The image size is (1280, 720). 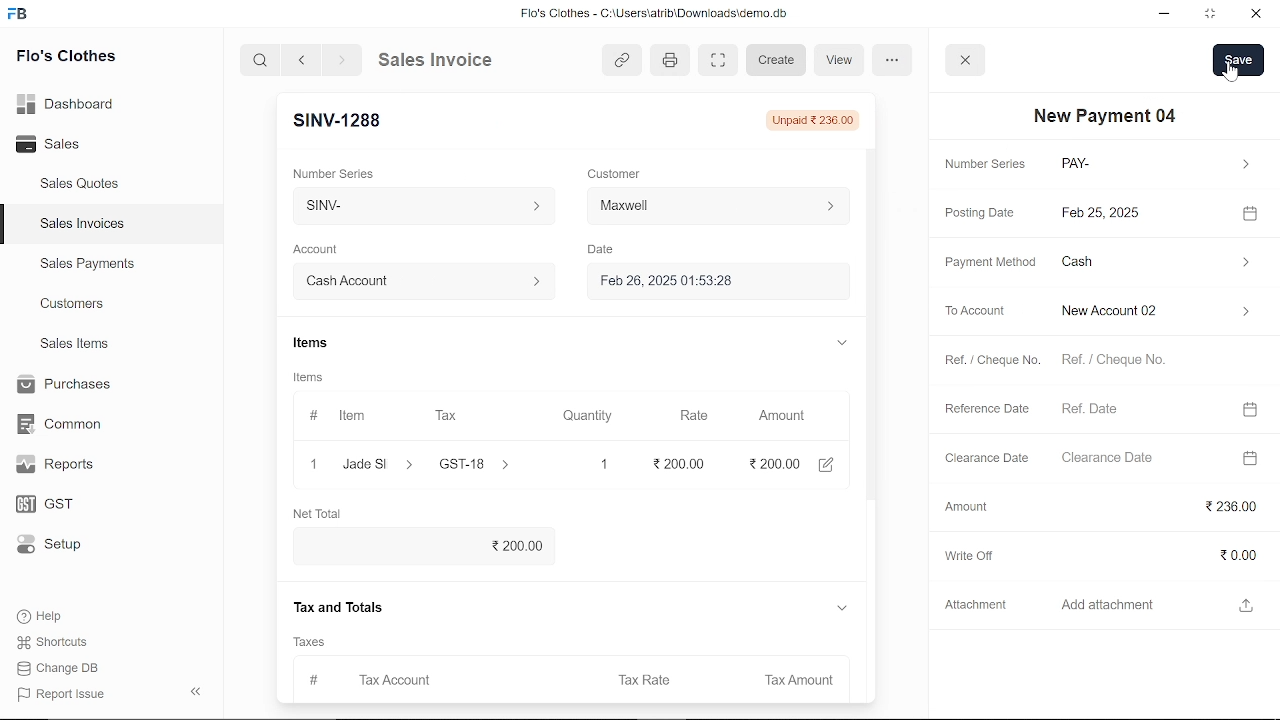 What do you see at coordinates (70, 103) in the screenshot?
I see `Dashboard` at bounding box center [70, 103].